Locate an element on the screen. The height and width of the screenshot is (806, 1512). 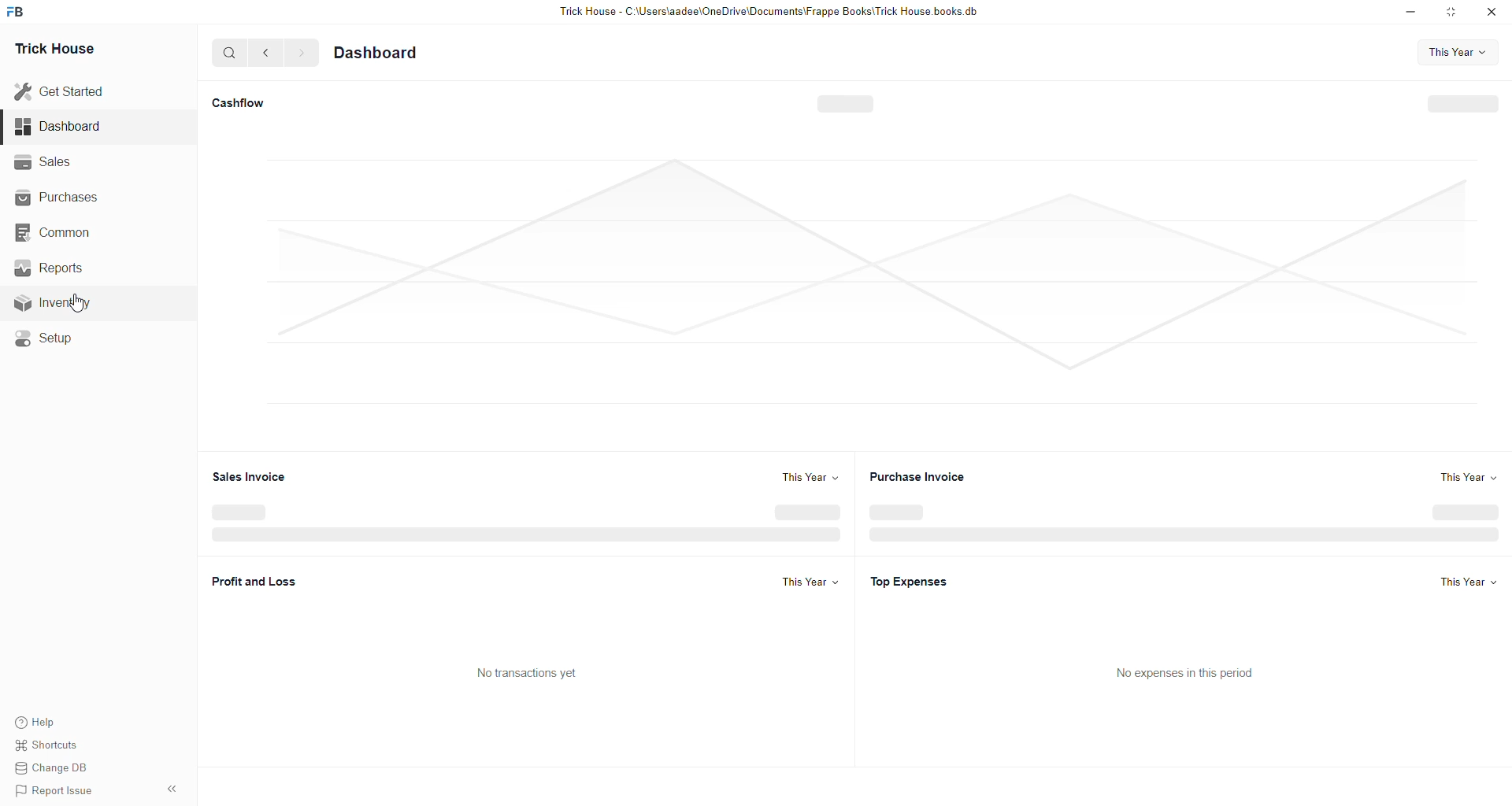
This year is located at coordinates (1468, 481).